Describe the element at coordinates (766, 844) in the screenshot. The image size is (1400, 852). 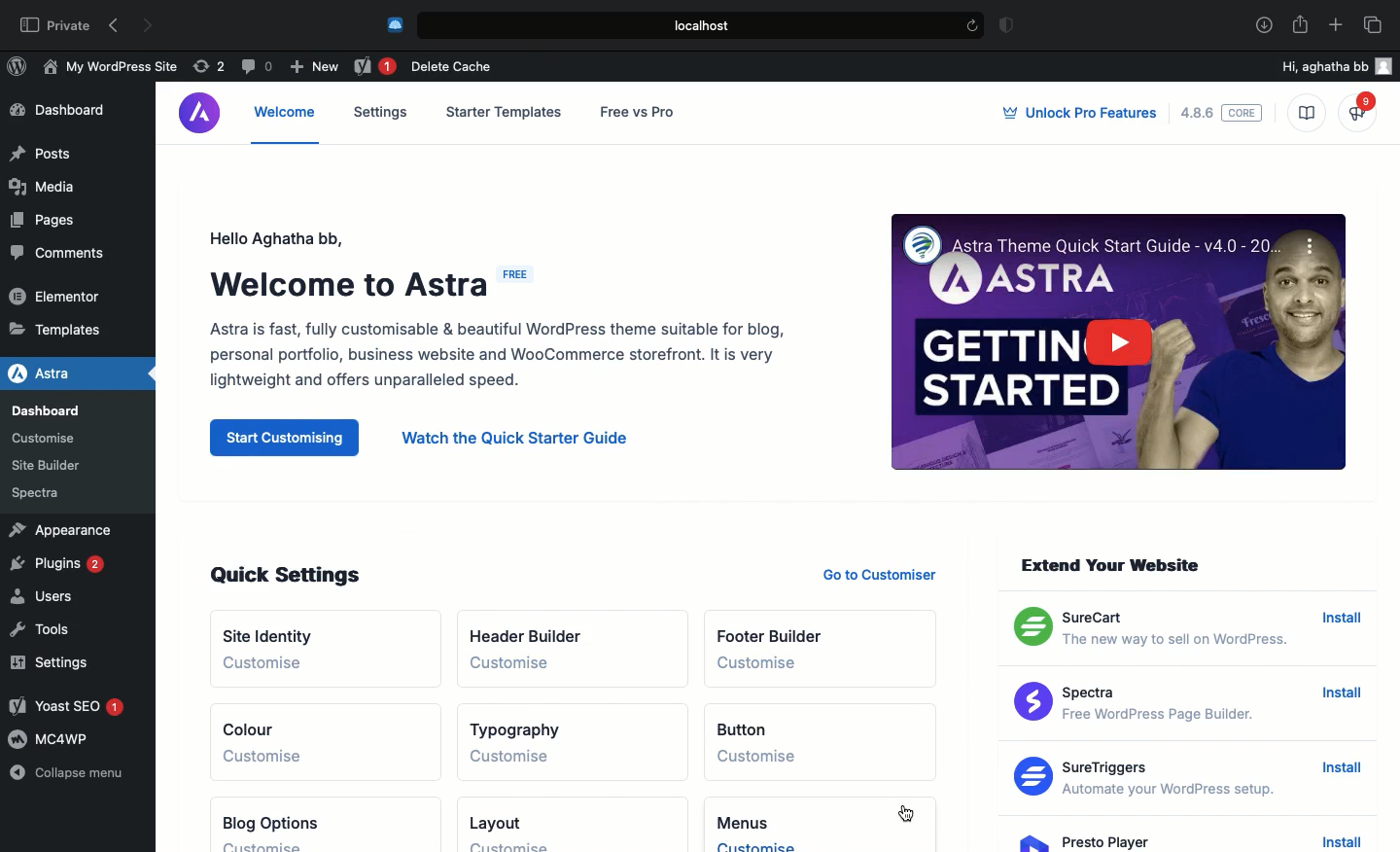
I see `Customise` at that location.